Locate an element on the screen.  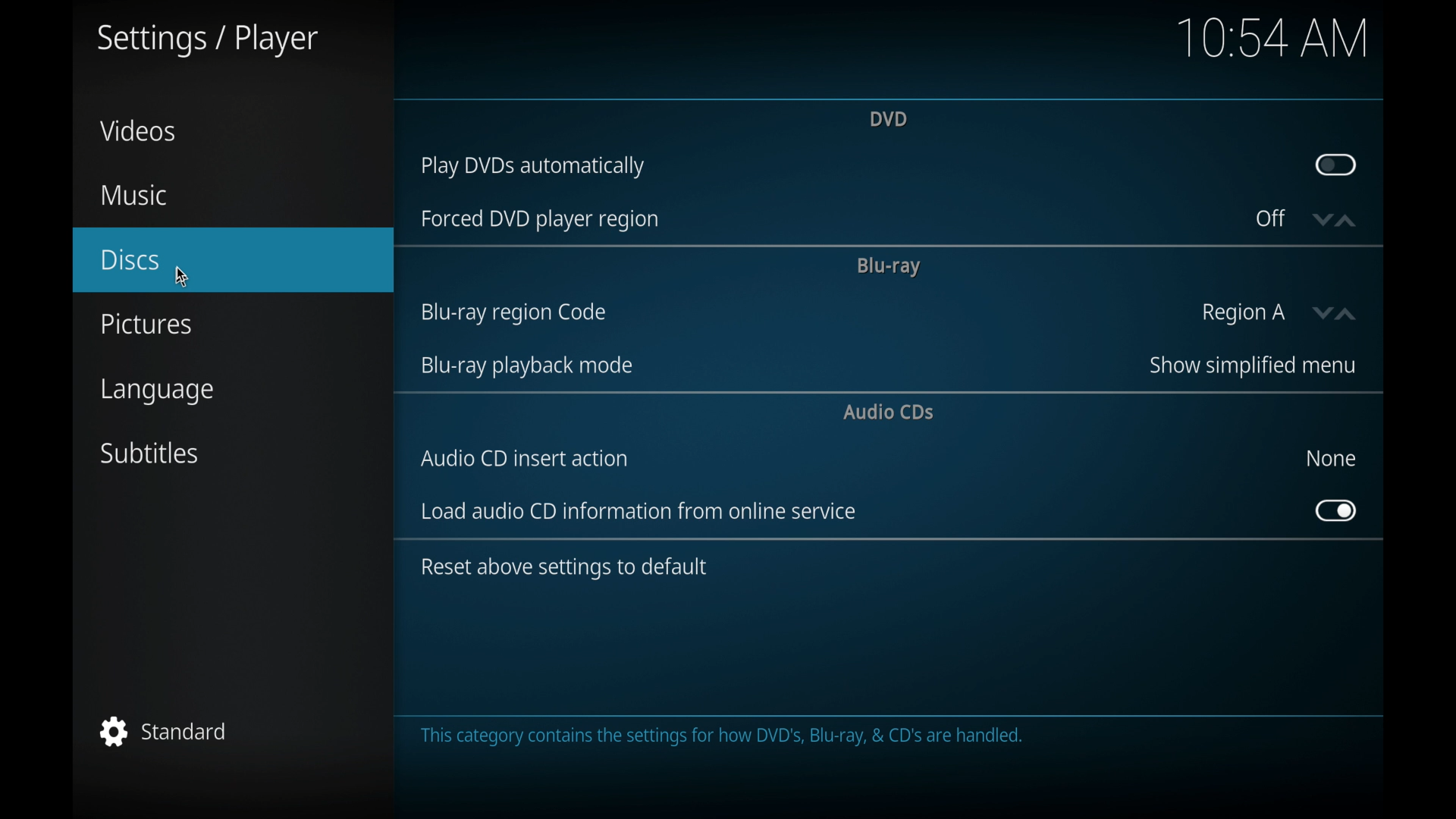
cursor is located at coordinates (184, 278).